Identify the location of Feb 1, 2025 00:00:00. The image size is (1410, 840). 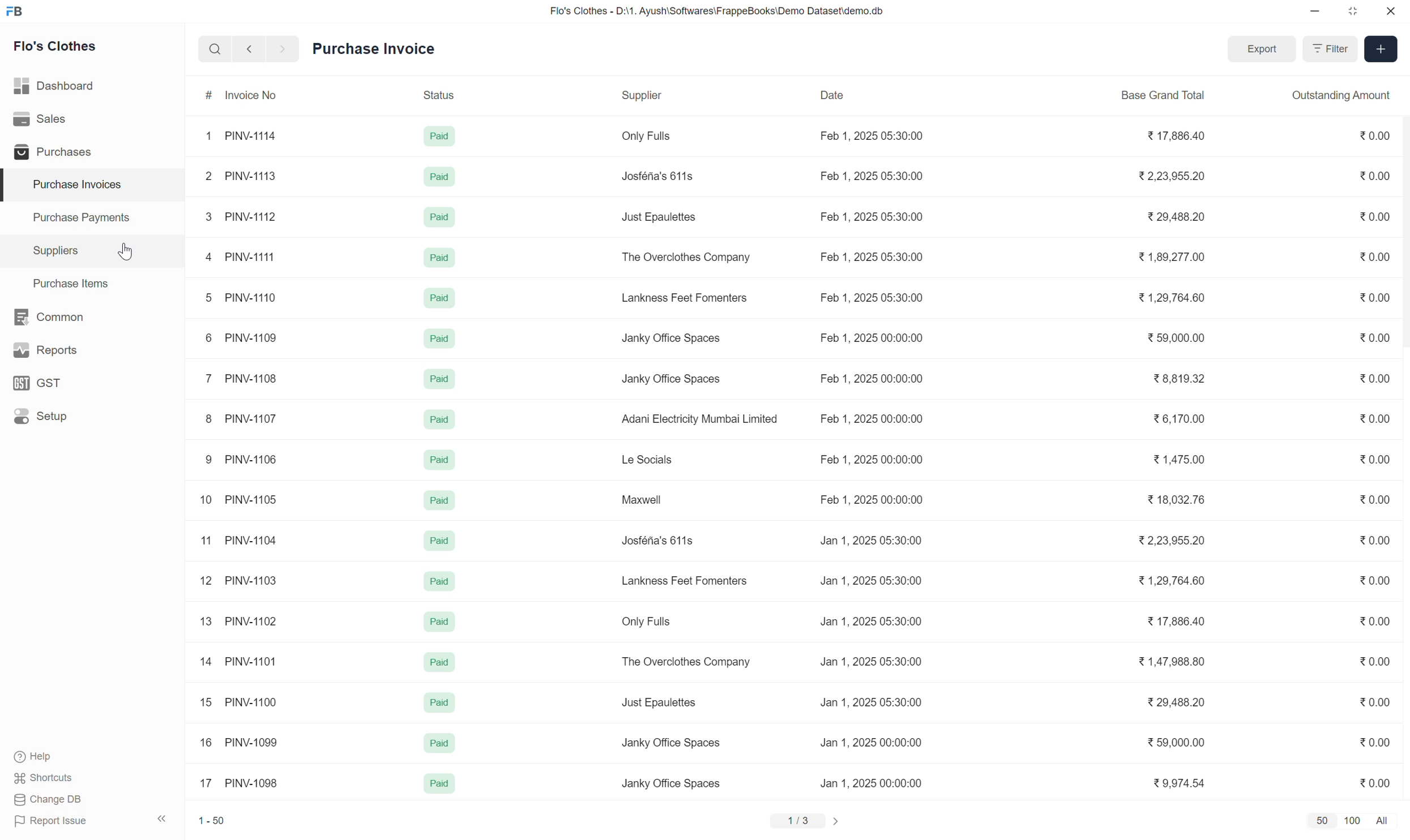
(871, 419).